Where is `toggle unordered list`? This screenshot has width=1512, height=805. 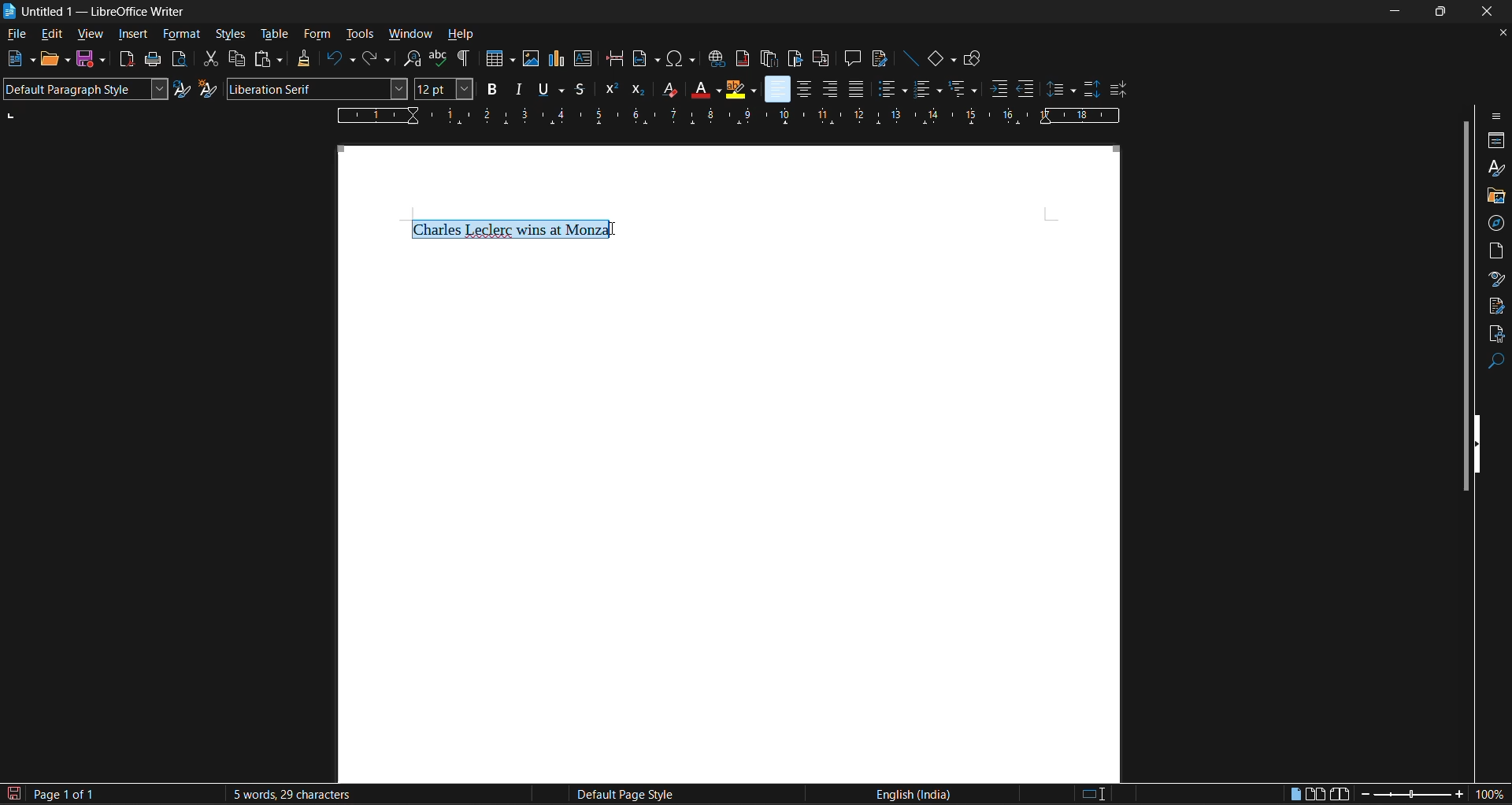
toggle unordered list is located at coordinates (891, 87).